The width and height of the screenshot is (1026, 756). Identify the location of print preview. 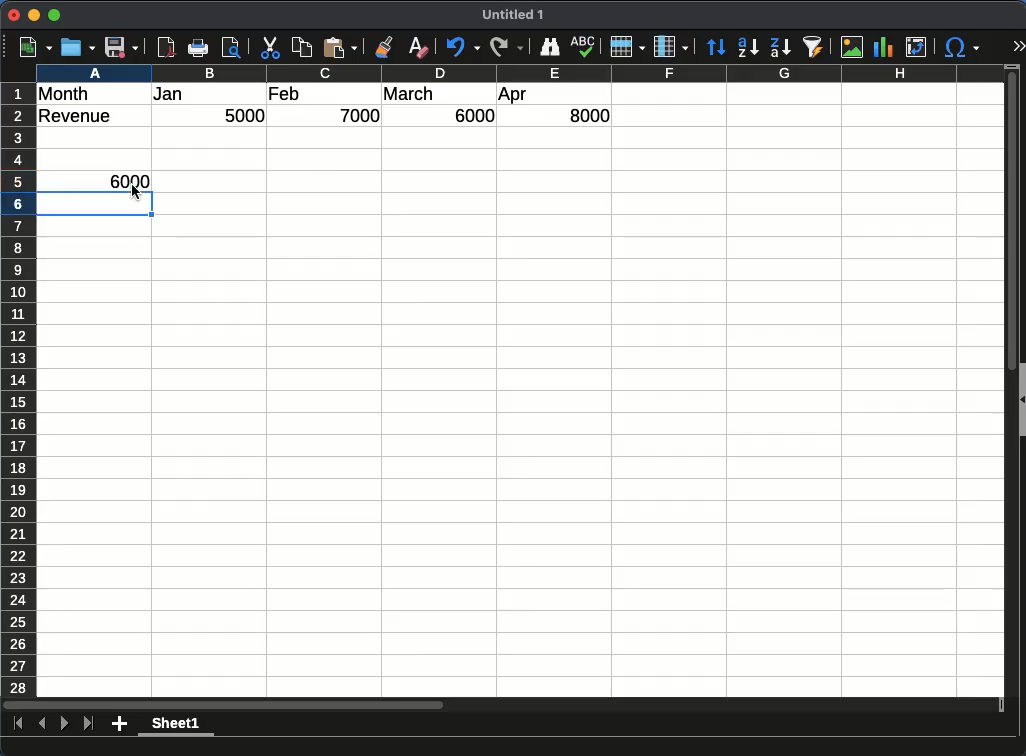
(231, 47).